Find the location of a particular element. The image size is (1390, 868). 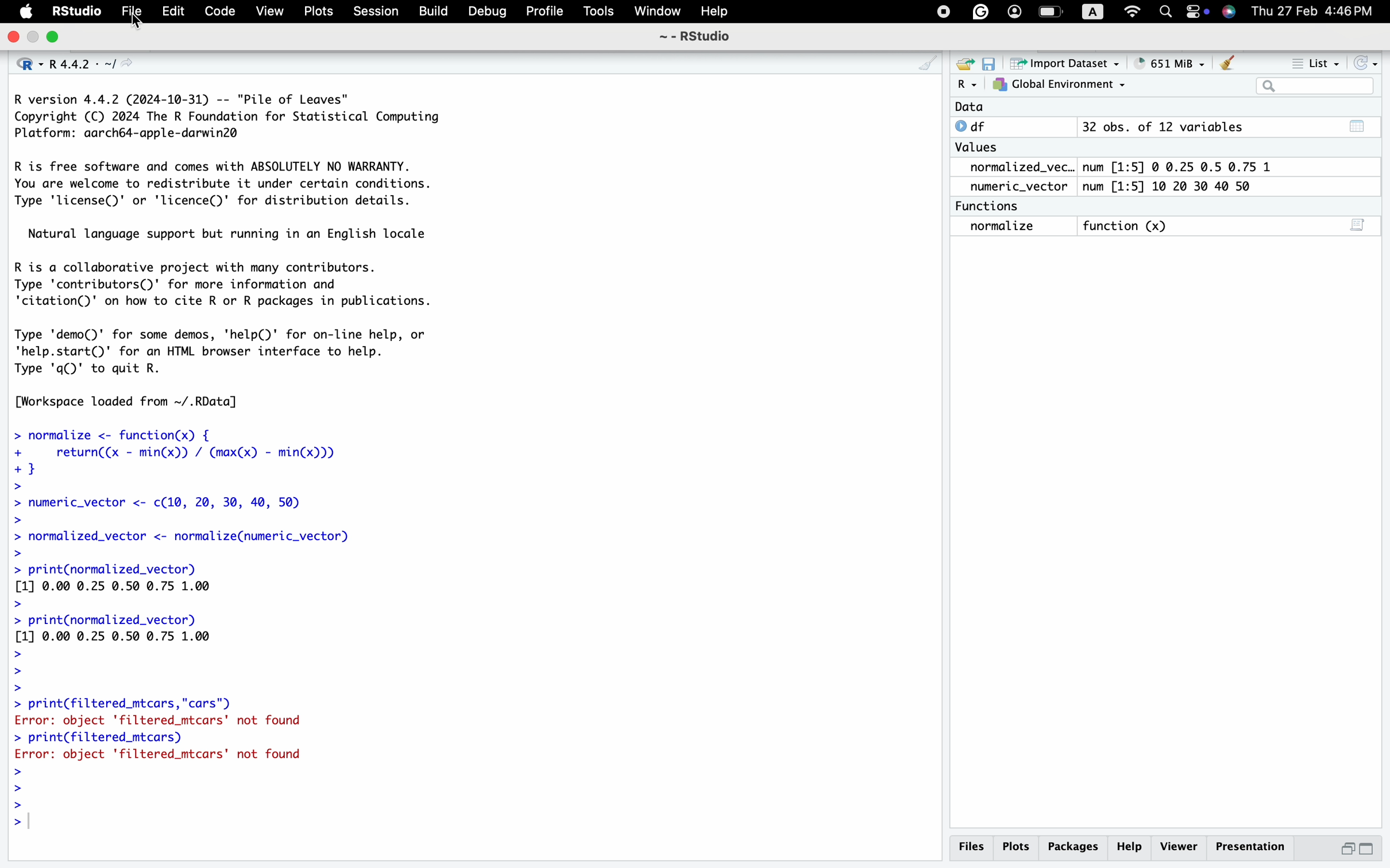

maximize is located at coordinates (56, 37).